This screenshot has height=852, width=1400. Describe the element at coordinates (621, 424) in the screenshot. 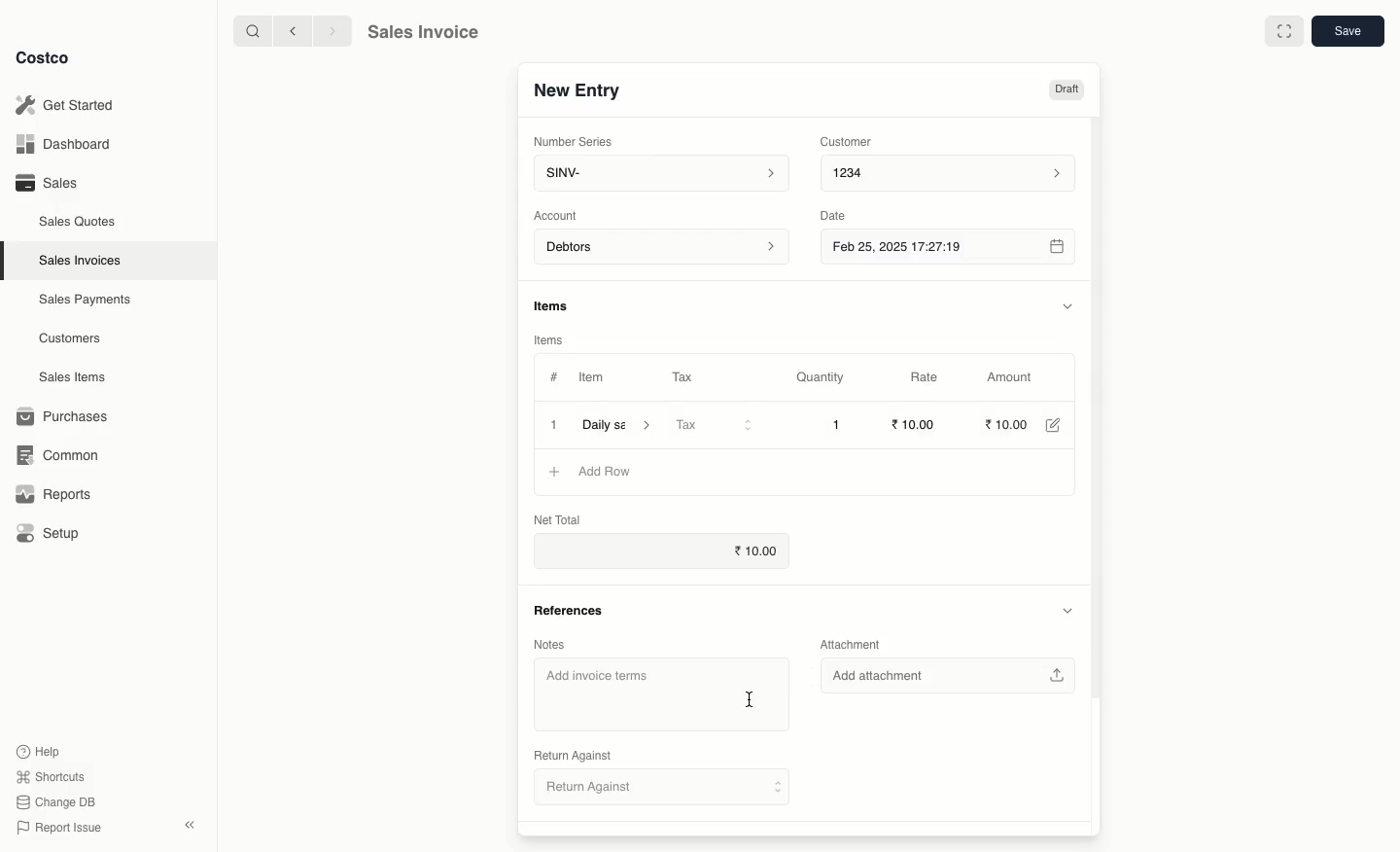

I see `Daily sa` at that location.